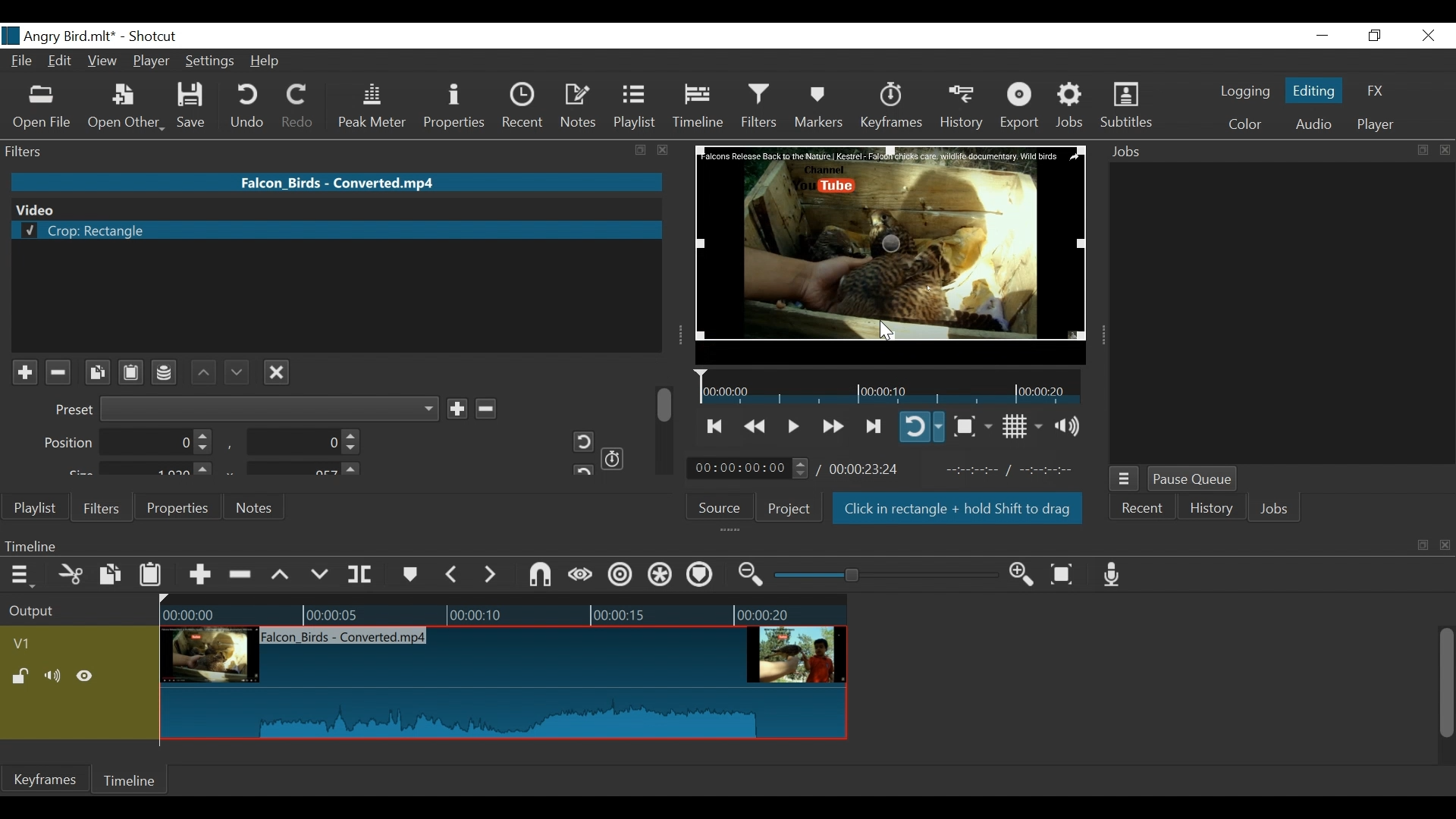 This screenshot has height=819, width=1456. Describe the element at coordinates (885, 332) in the screenshot. I see `cursor` at that location.